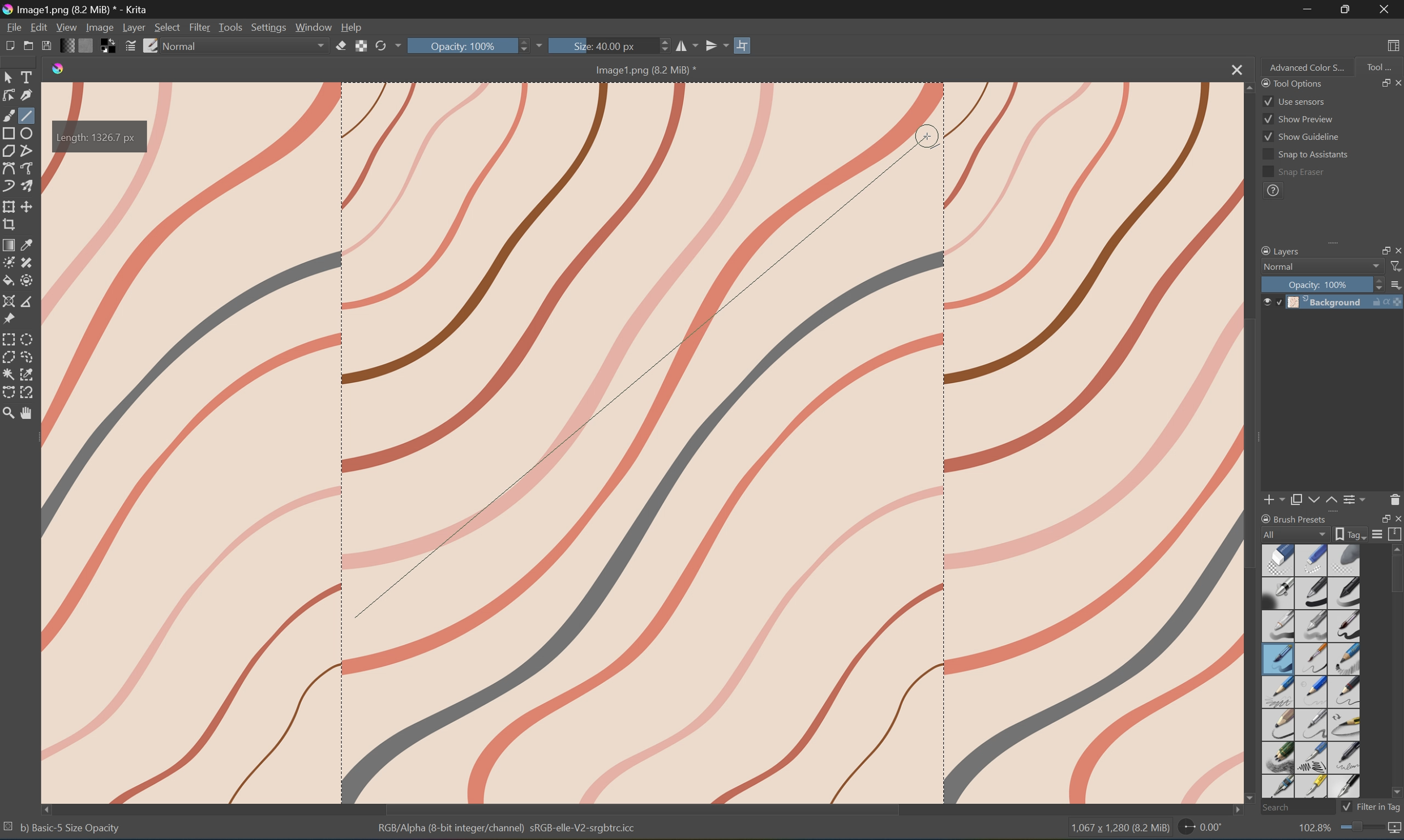 The height and width of the screenshot is (840, 1404). What do you see at coordinates (1279, 302) in the screenshot?
I see `Locked` at bounding box center [1279, 302].